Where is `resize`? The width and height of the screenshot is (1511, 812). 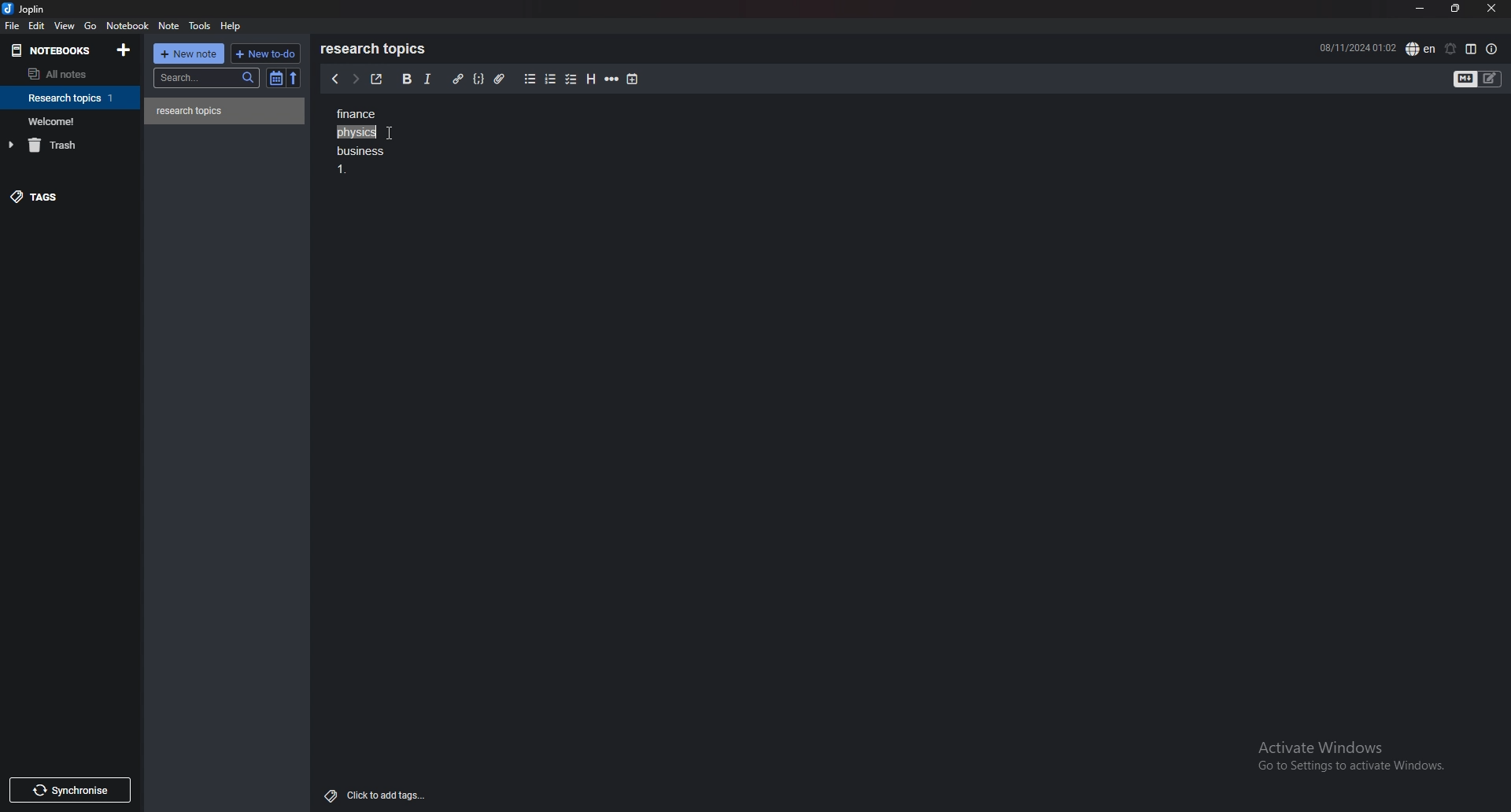 resize is located at coordinates (1454, 8).